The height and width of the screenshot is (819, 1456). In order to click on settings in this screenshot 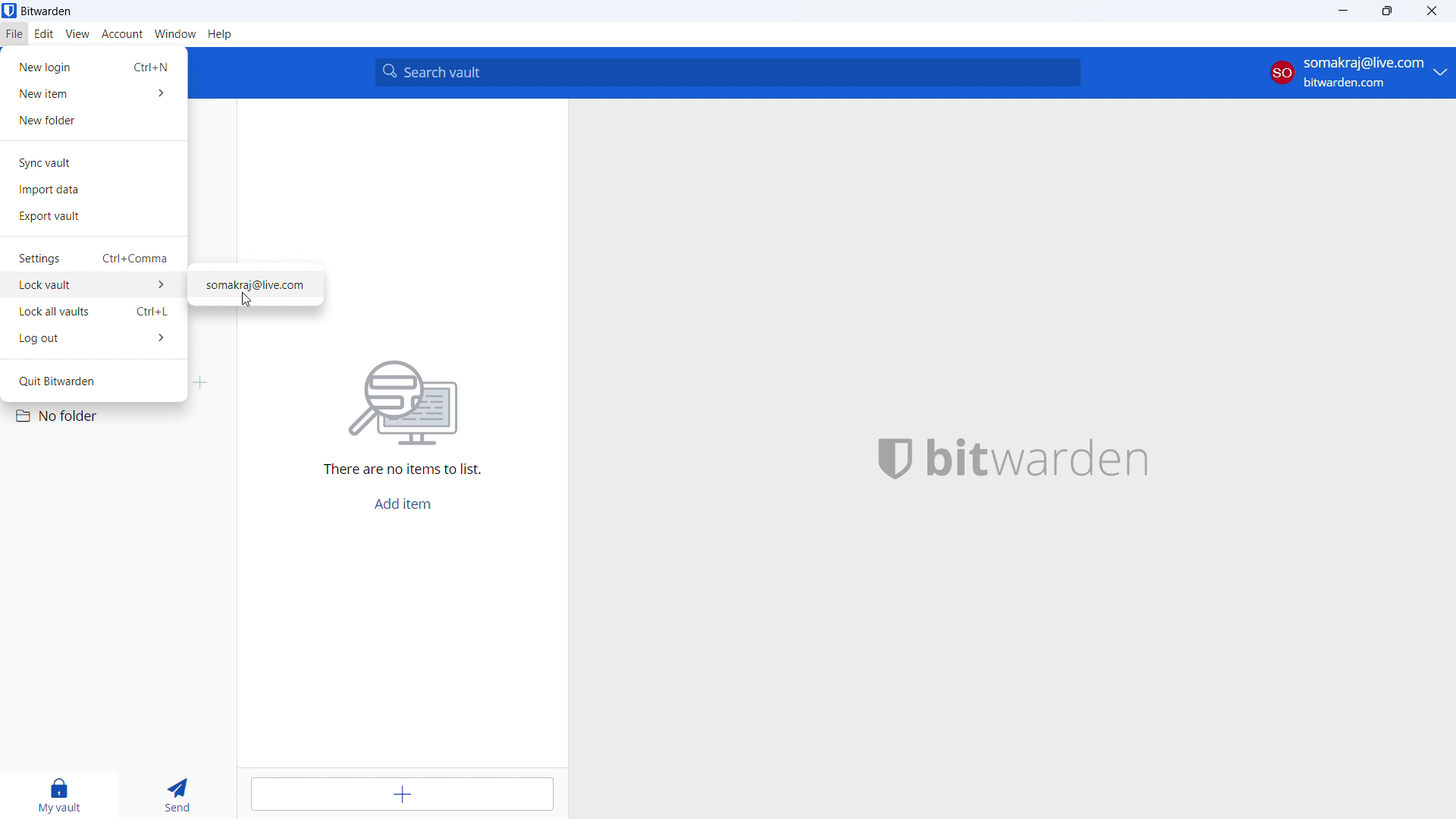, I will do `click(93, 259)`.